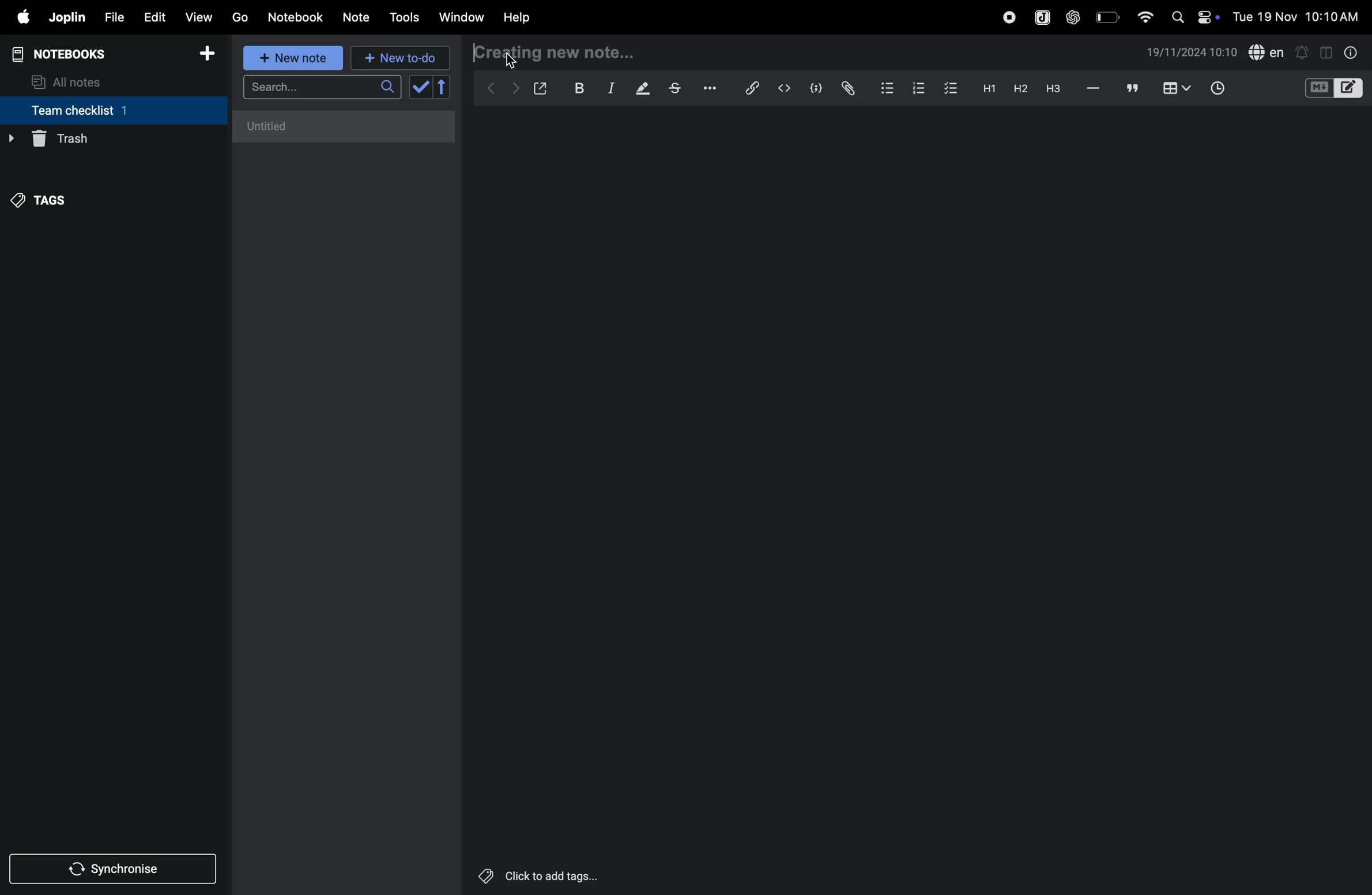 This screenshot has height=895, width=1372. What do you see at coordinates (398, 58) in the screenshot?
I see `new to d0` at bounding box center [398, 58].